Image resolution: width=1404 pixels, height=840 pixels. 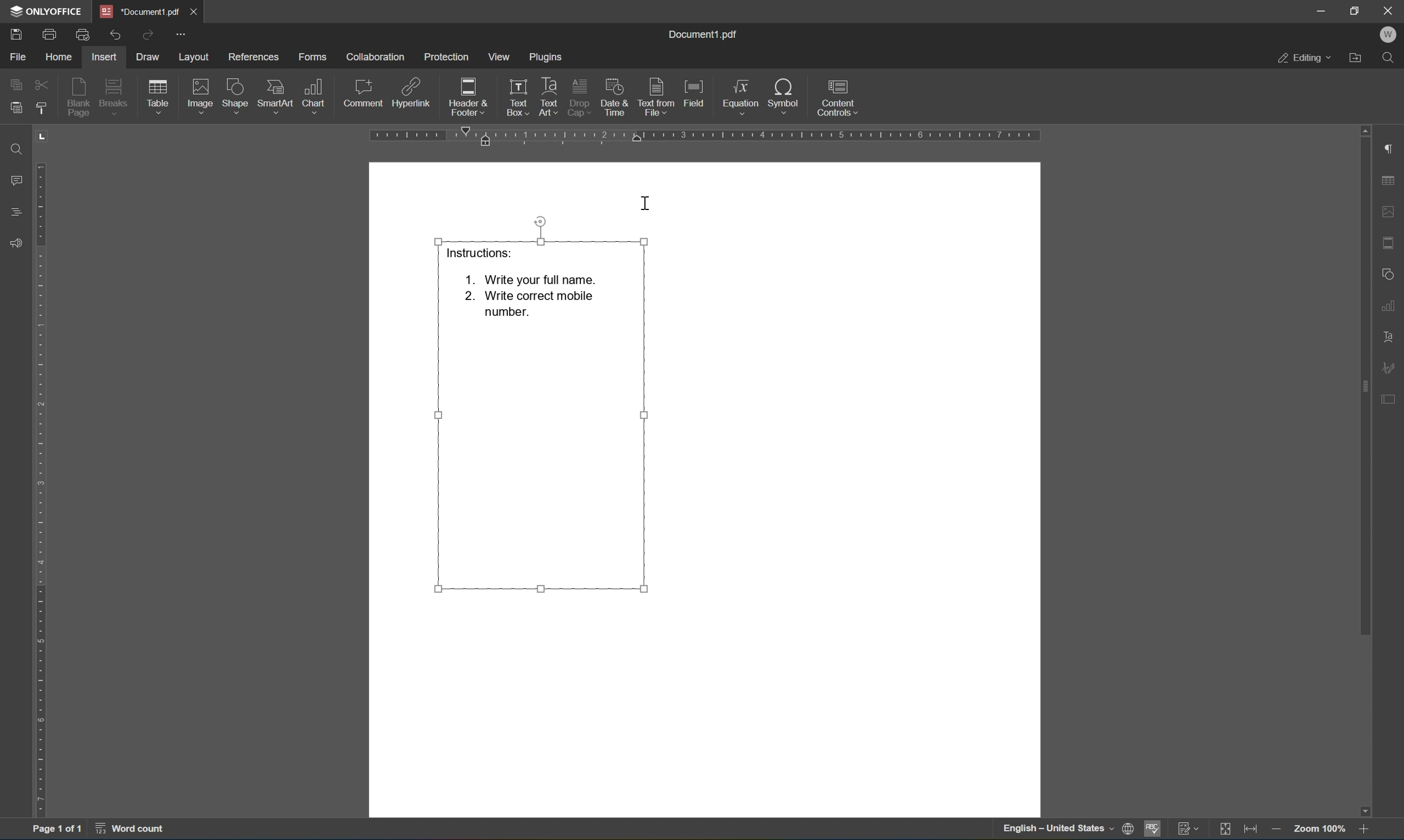 I want to click on Undo, so click(x=114, y=37).